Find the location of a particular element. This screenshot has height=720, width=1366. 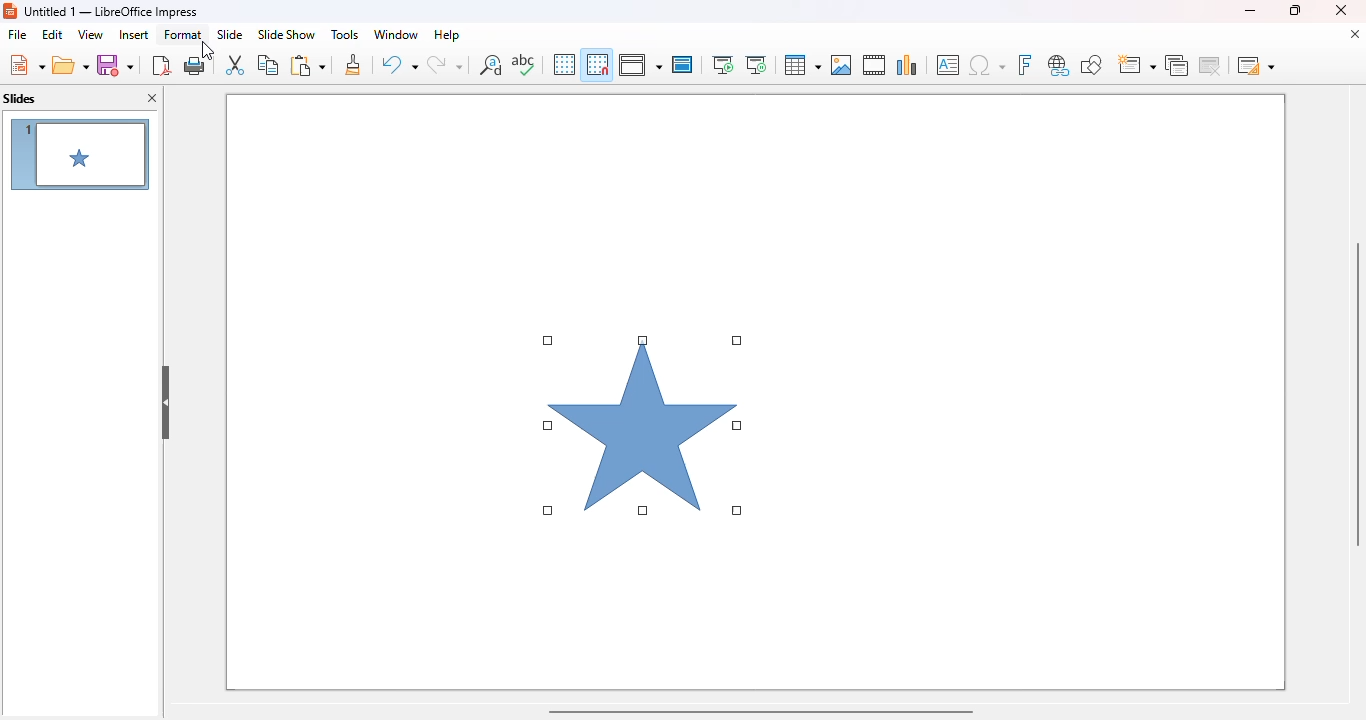

paste is located at coordinates (307, 65).